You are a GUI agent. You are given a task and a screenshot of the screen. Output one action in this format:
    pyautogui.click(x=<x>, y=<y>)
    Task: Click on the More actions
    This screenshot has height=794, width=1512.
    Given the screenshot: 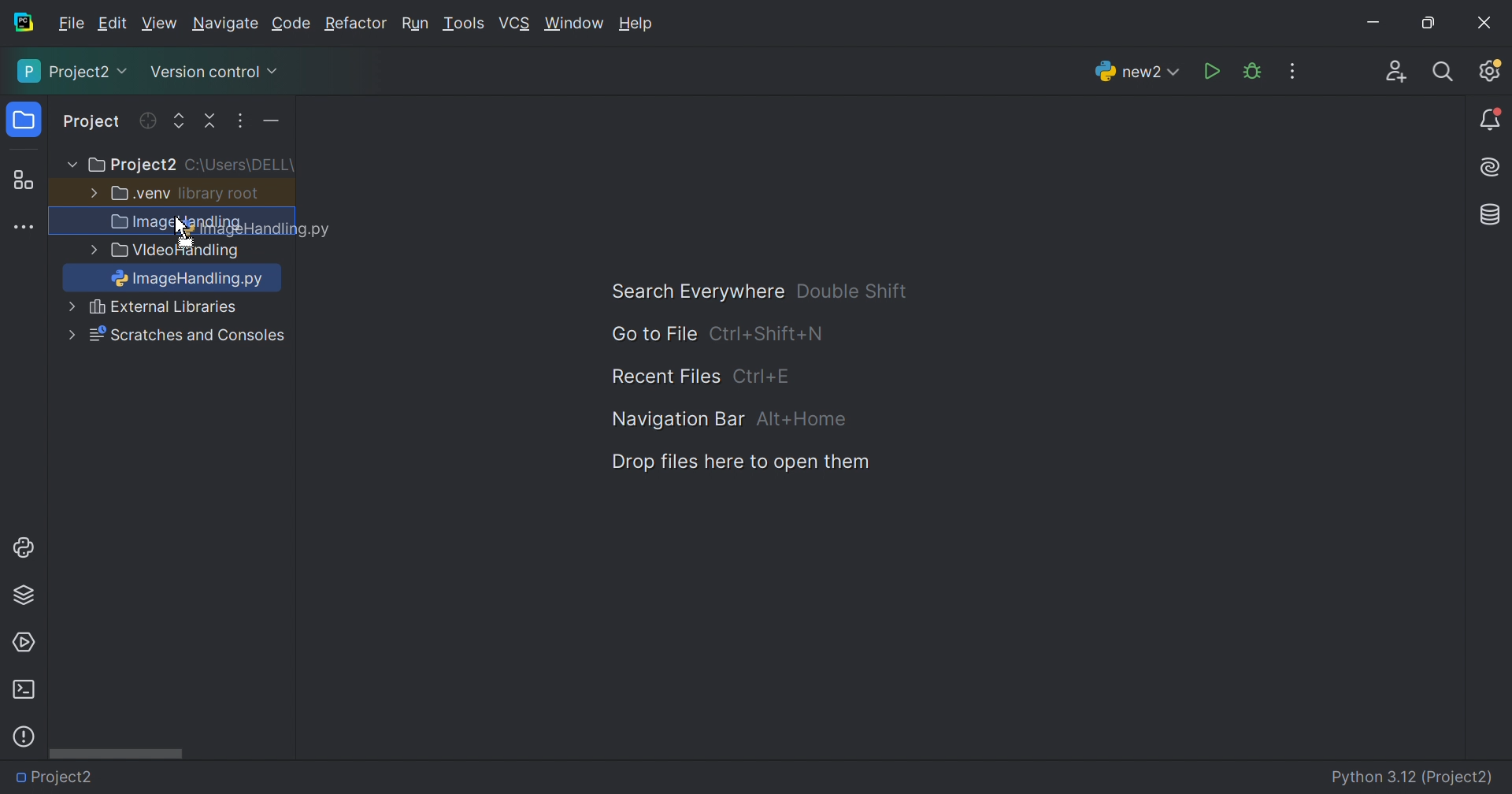 What is the action you would take?
    pyautogui.click(x=267, y=124)
    